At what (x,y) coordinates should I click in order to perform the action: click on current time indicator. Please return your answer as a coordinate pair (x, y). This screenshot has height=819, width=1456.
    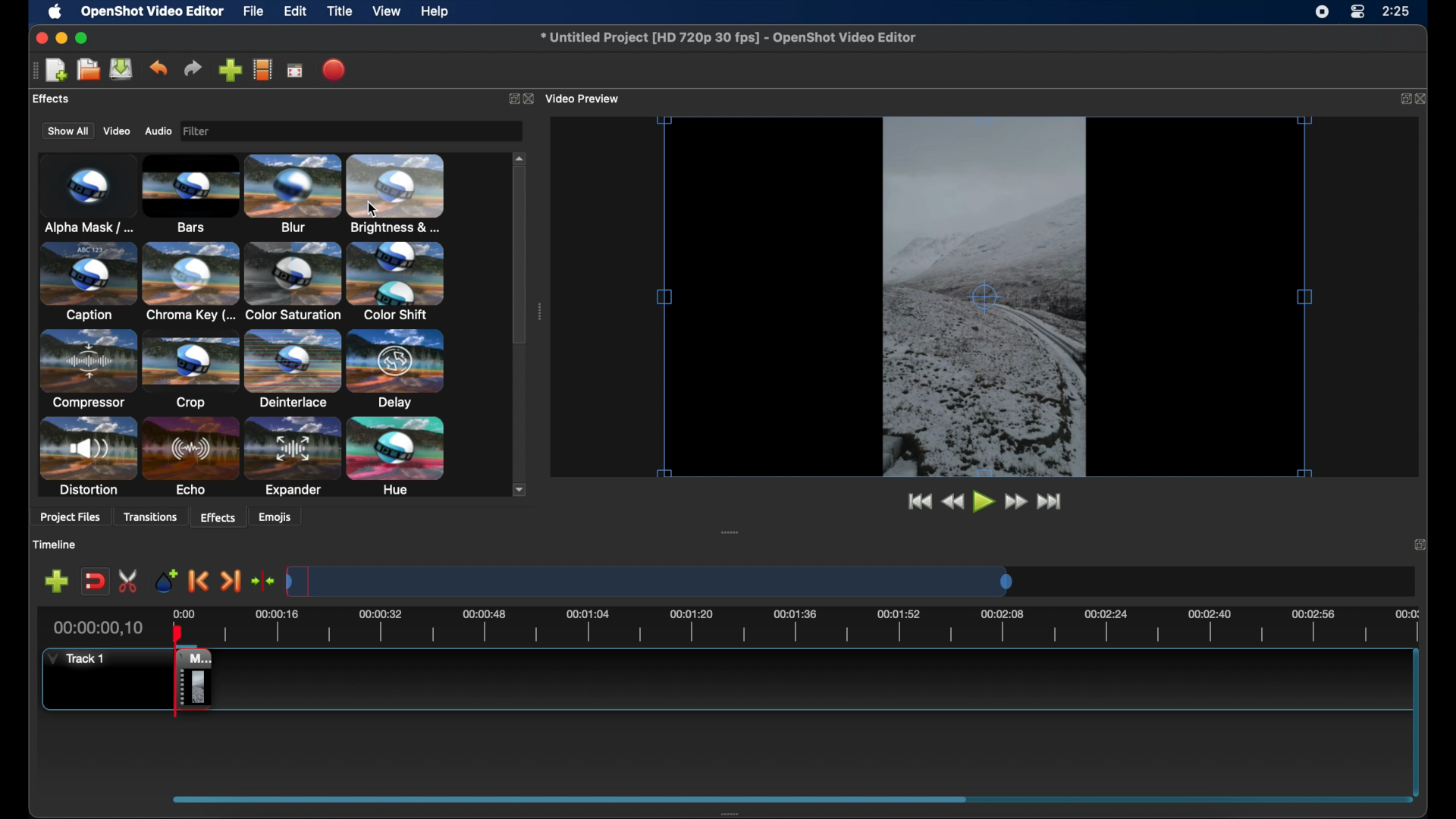
    Looking at the image, I should click on (97, 628).